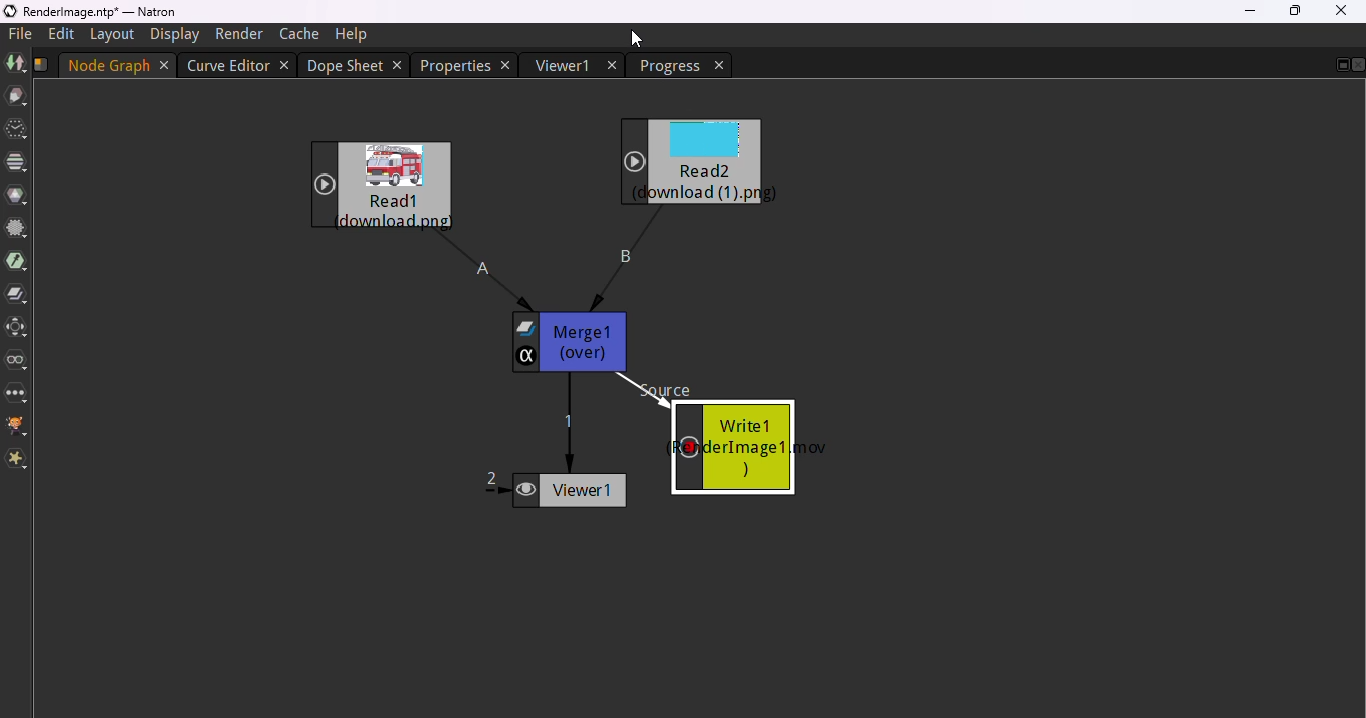 Image resolution: width=1366 pixels, height=718 pixels. What do you see at coordinates (701, 162) in the screenshot?
I see `read2` at bounding box center [701, 162].